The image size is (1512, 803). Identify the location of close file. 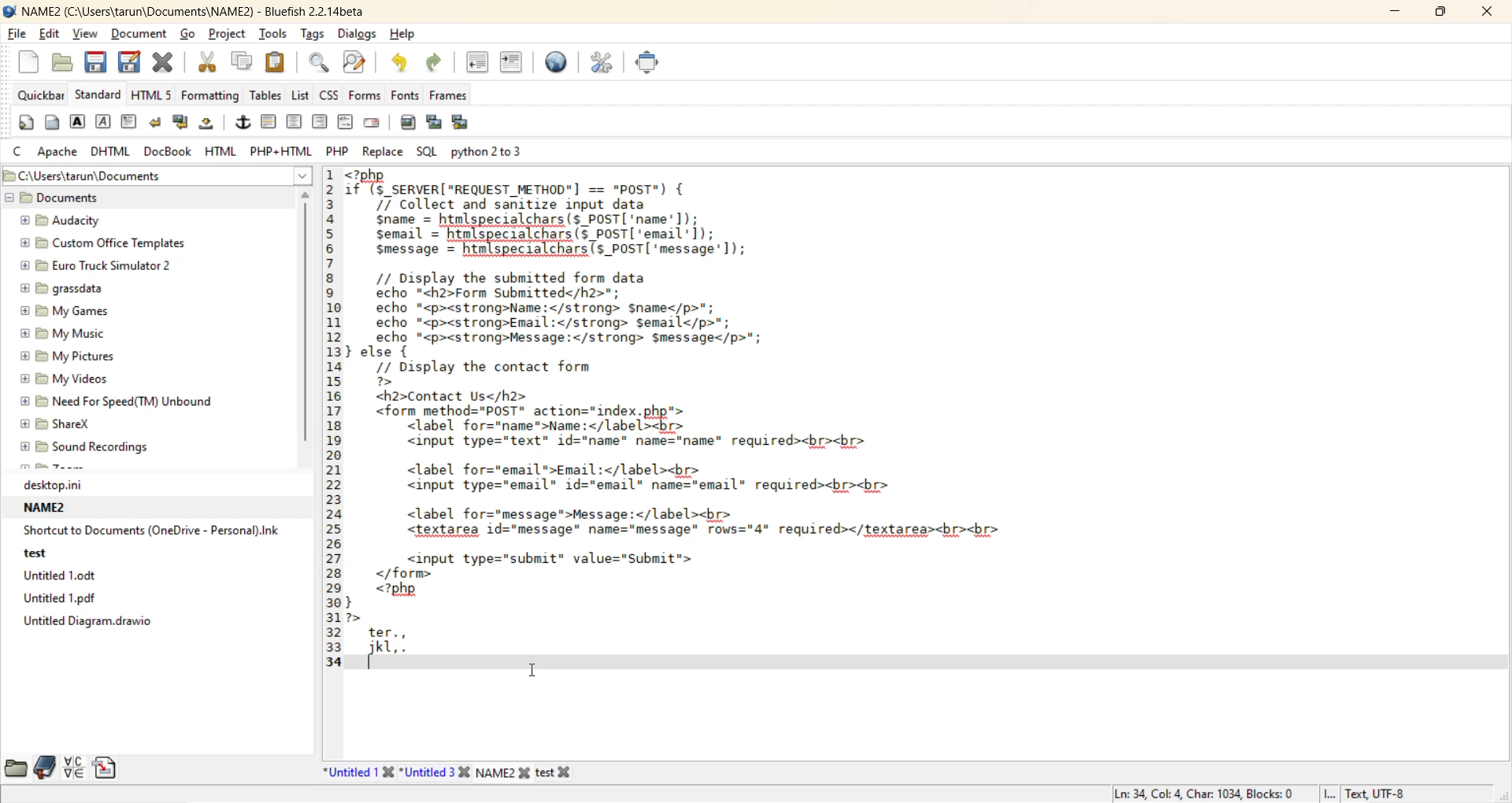
(165, 65).